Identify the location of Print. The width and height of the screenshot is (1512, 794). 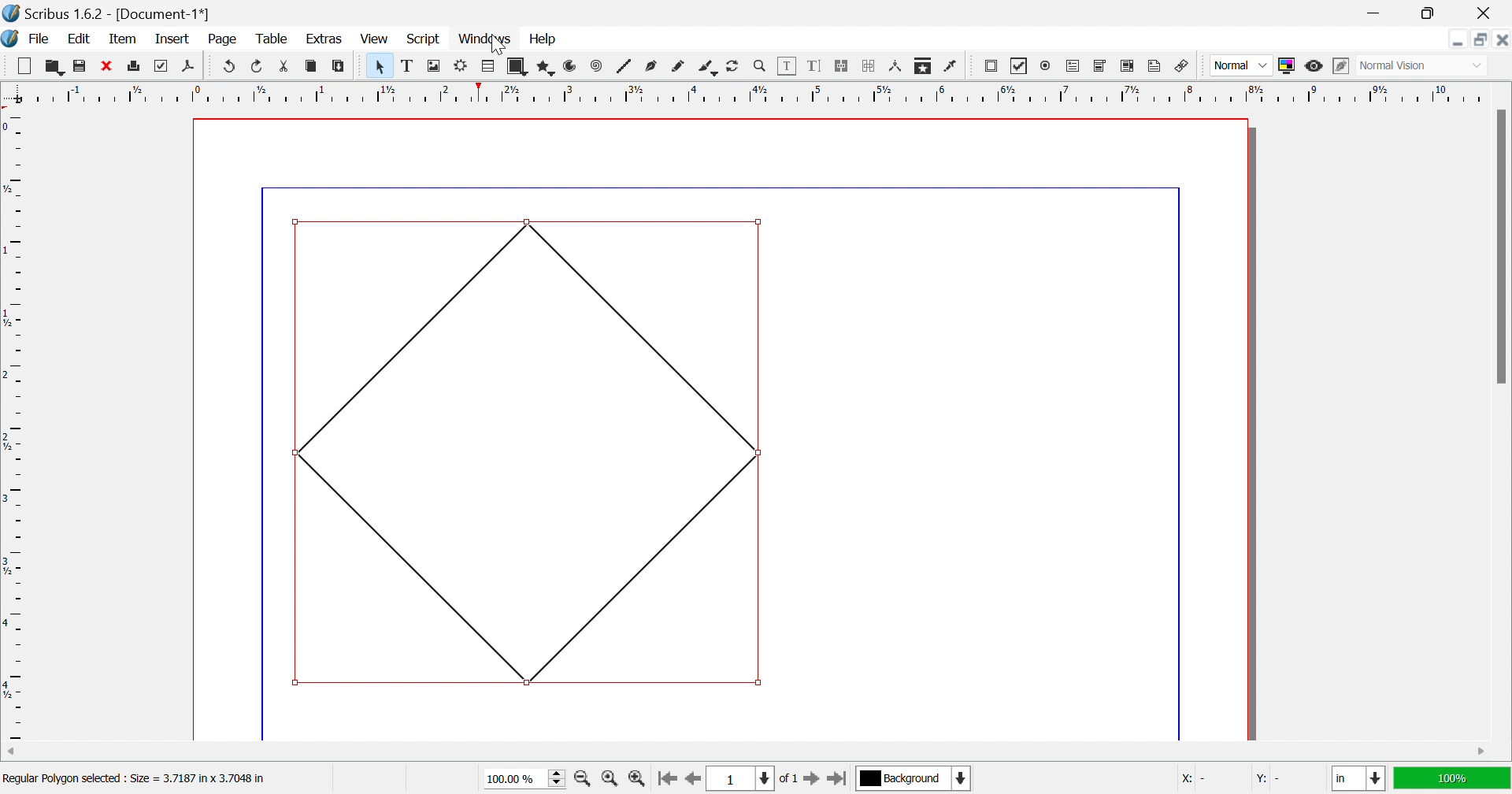
(158, 66).